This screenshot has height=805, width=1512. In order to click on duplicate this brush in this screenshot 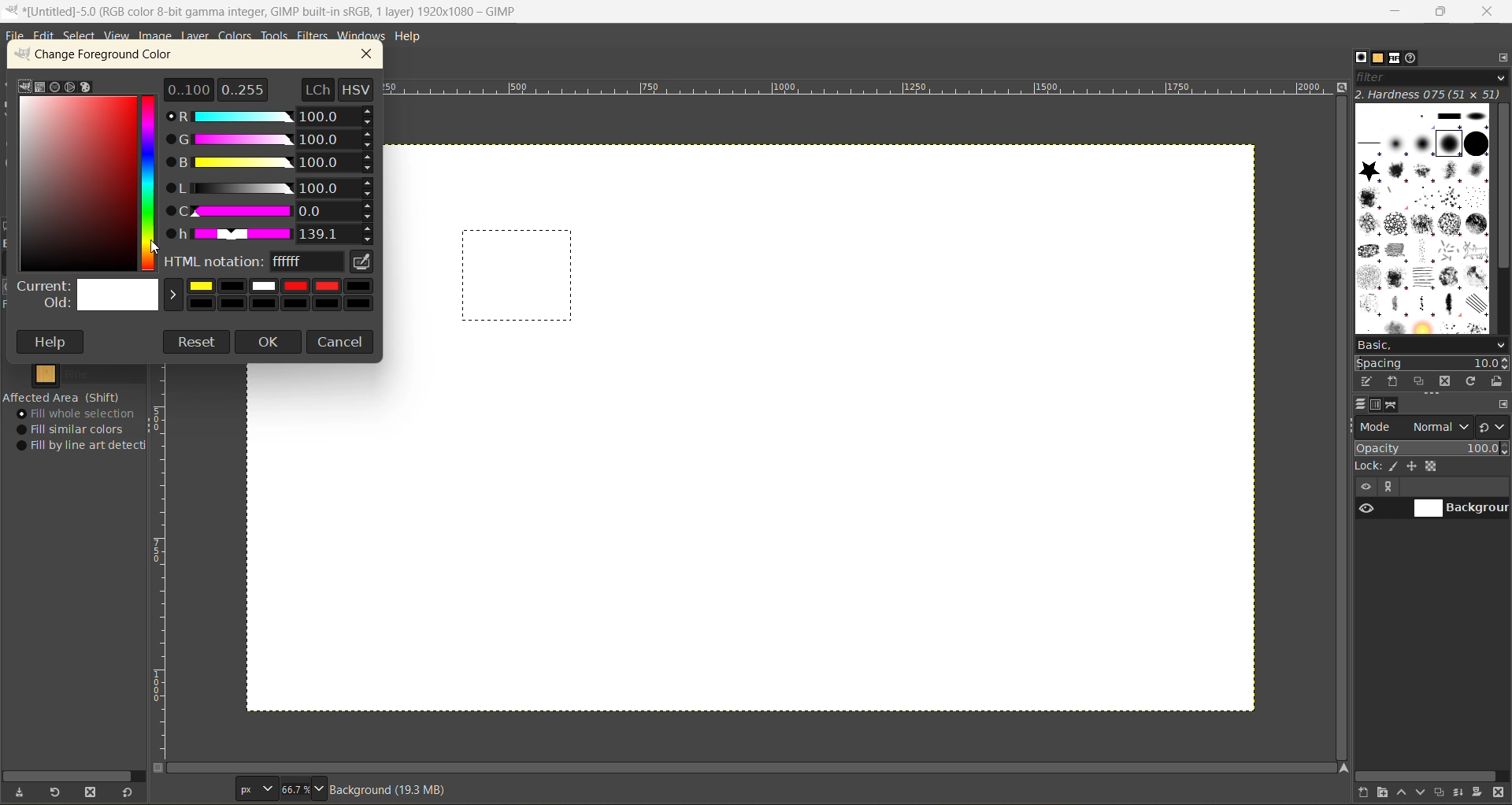, I will do `click(1421, 381)`.